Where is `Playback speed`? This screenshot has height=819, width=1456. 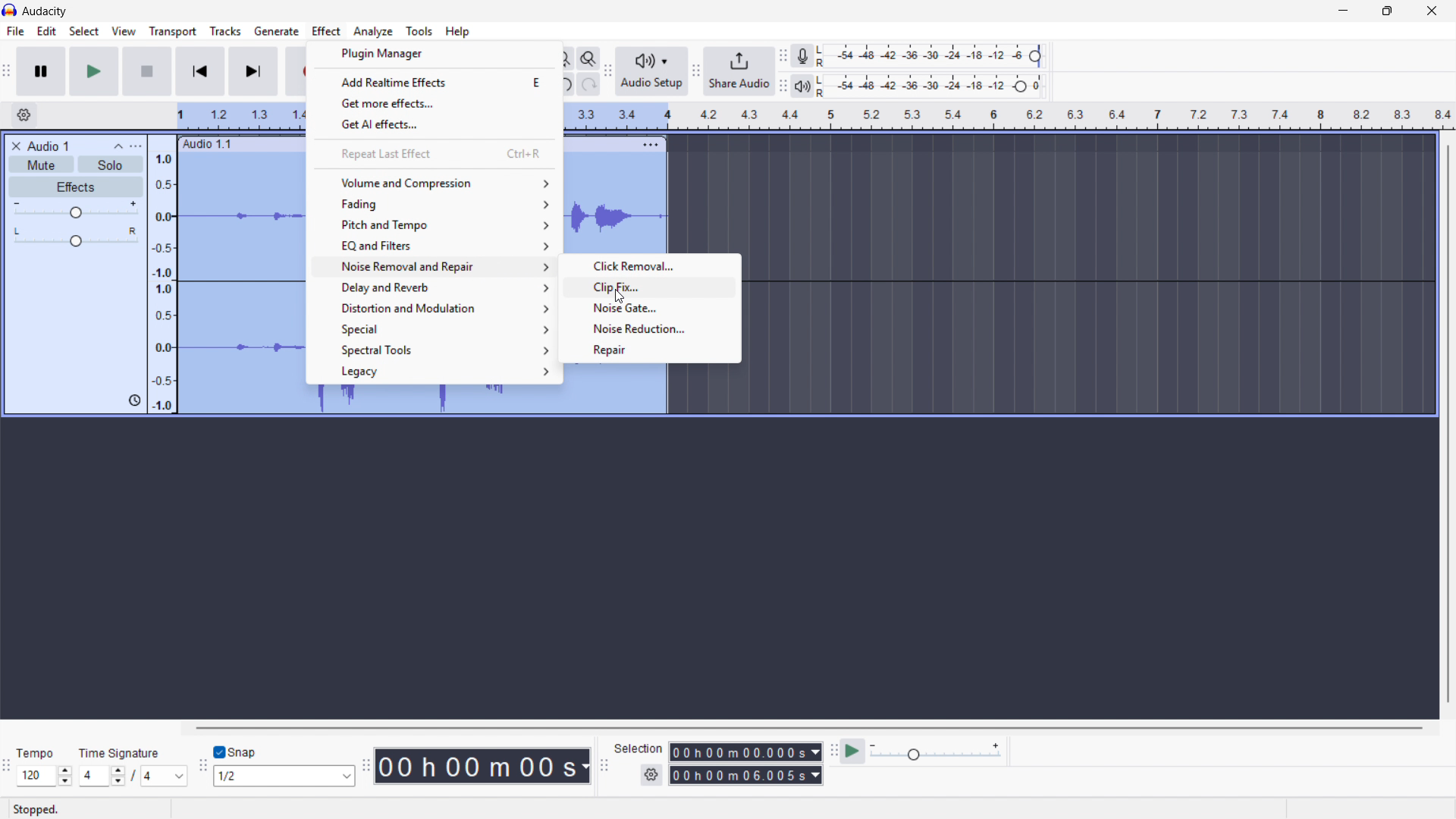
Playback speed is located at coordinates (935, 753).